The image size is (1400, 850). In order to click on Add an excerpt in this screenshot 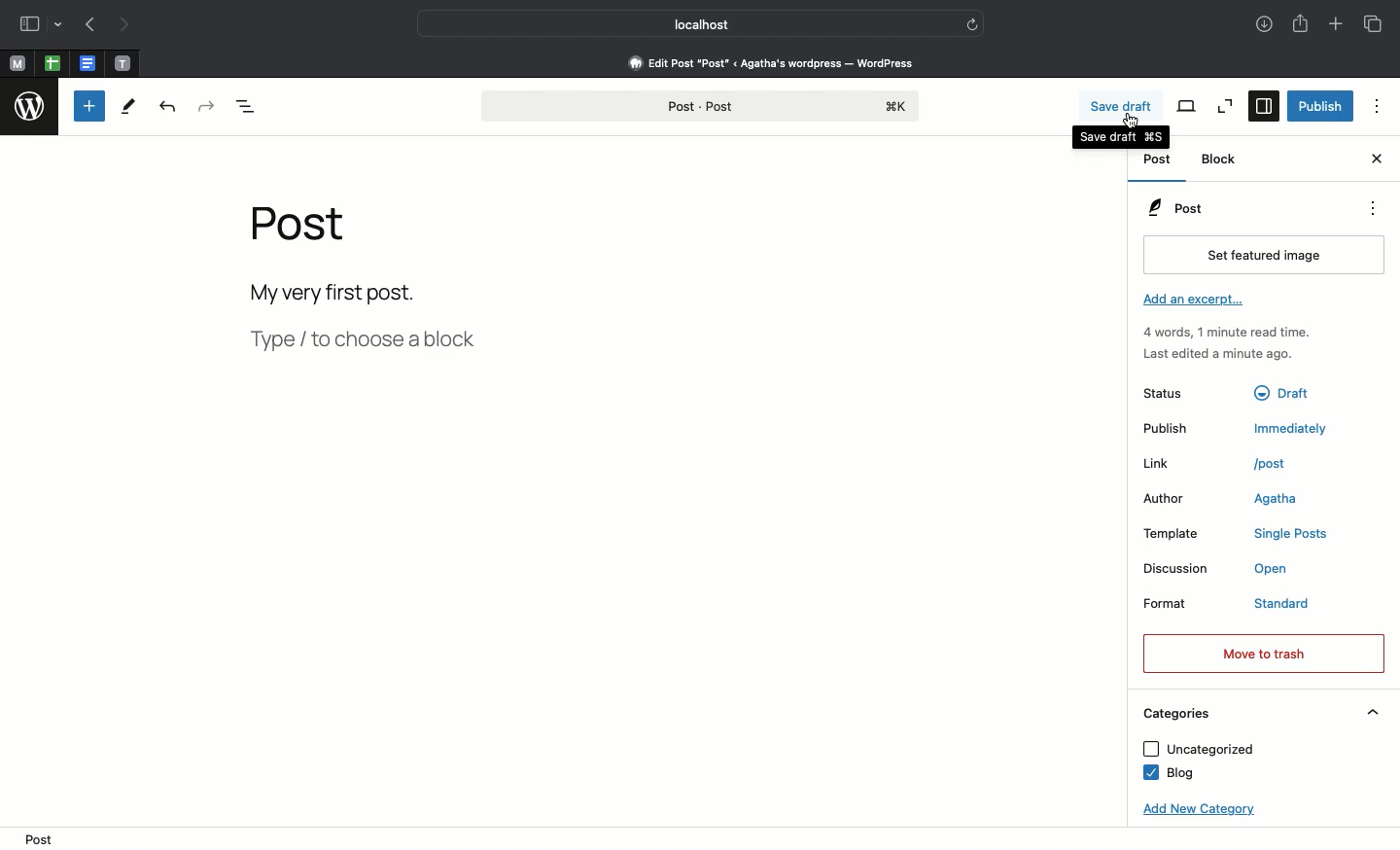, I will do `click(1197, 301)`.